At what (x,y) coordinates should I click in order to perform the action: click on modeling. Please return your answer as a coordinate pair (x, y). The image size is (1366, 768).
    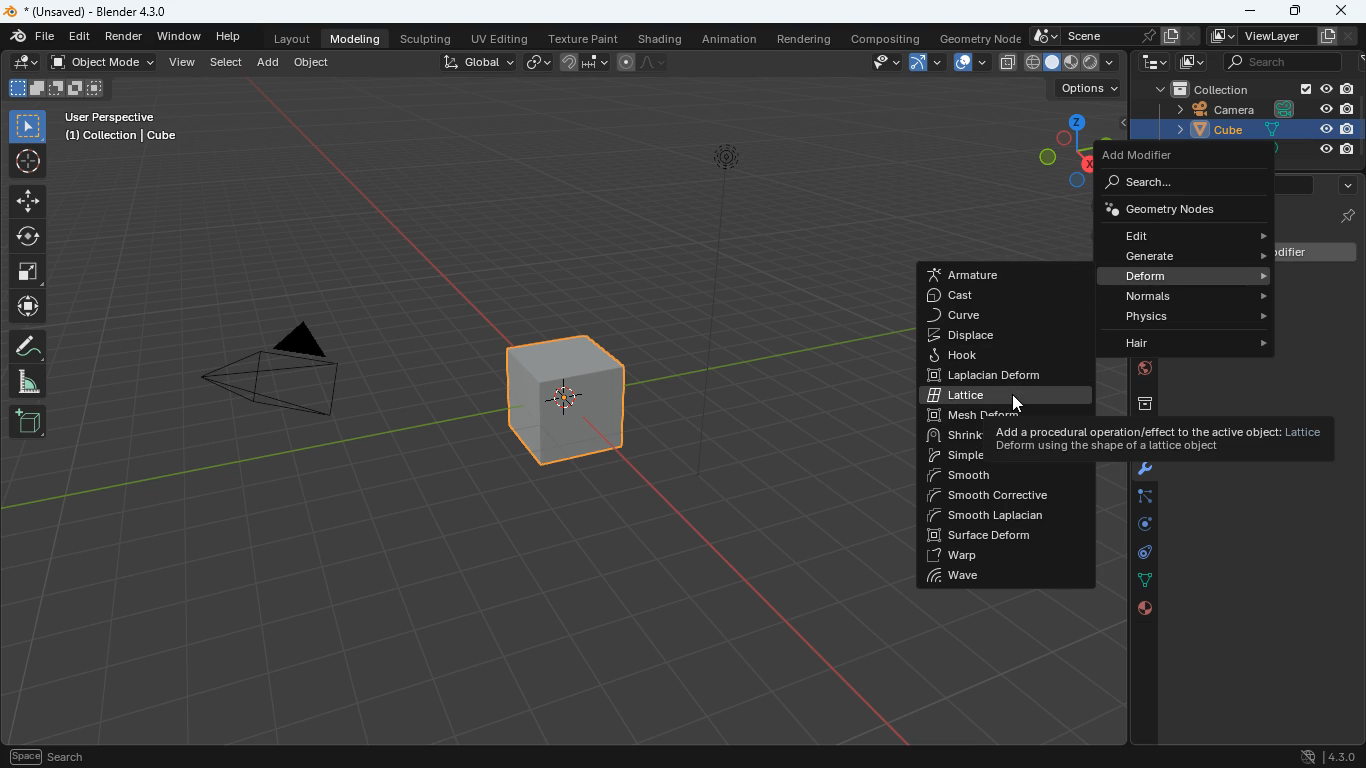
    Looking at the image, I should click on (356, 38).